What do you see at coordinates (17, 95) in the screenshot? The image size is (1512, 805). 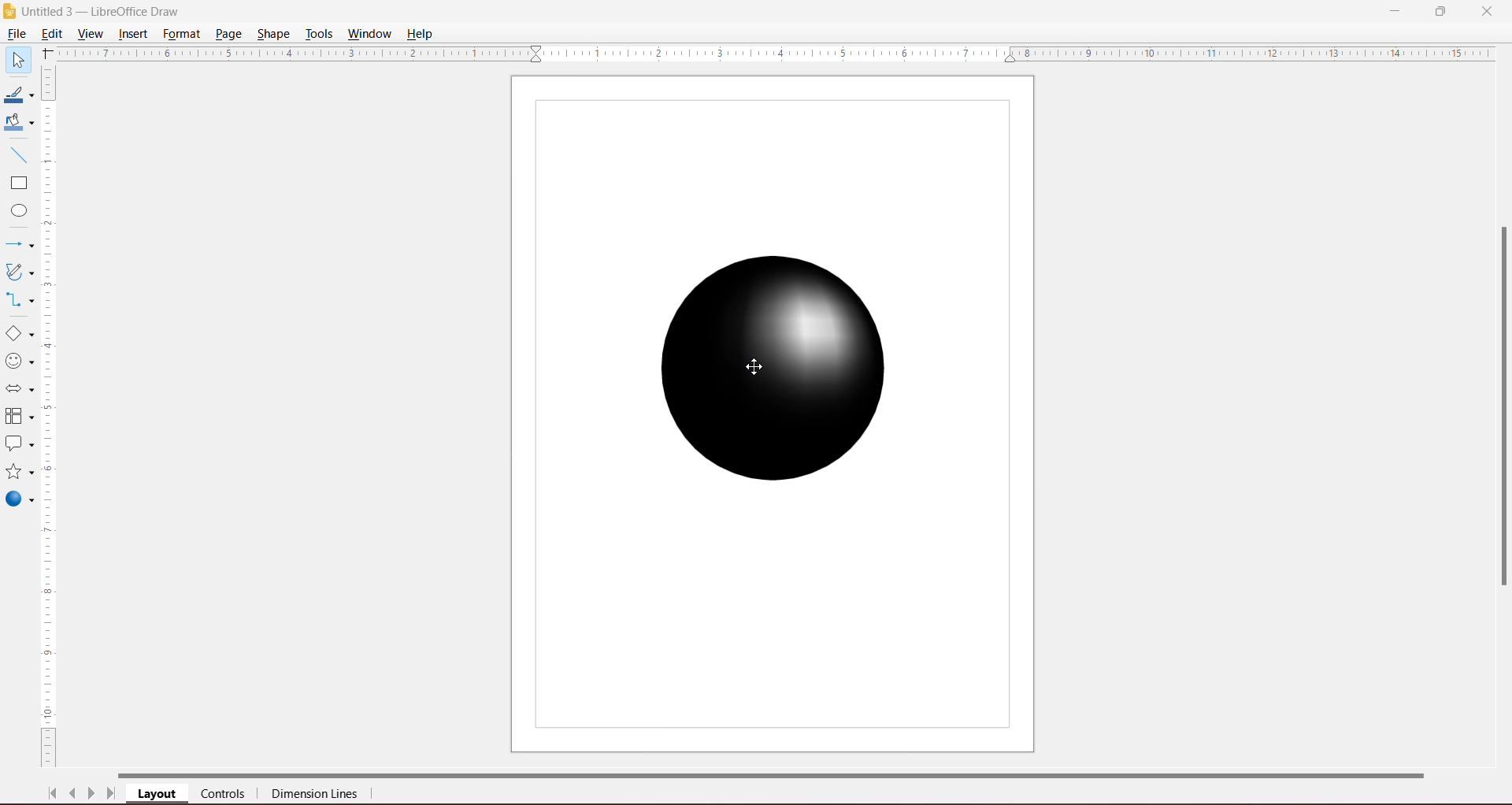 I see `Line Color` at bounding box center [17, 95].